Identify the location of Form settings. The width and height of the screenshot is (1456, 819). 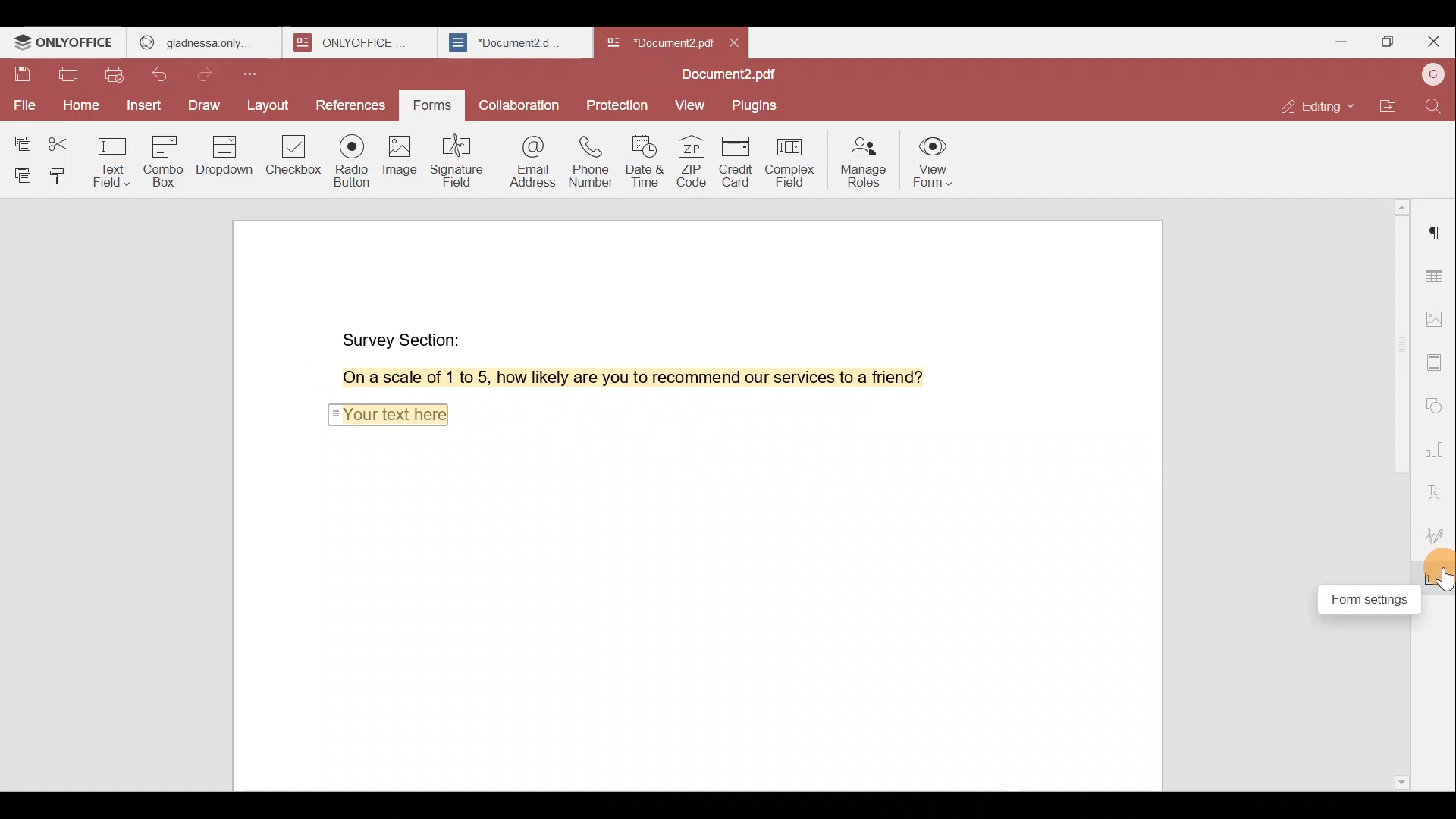
(1364, 601).